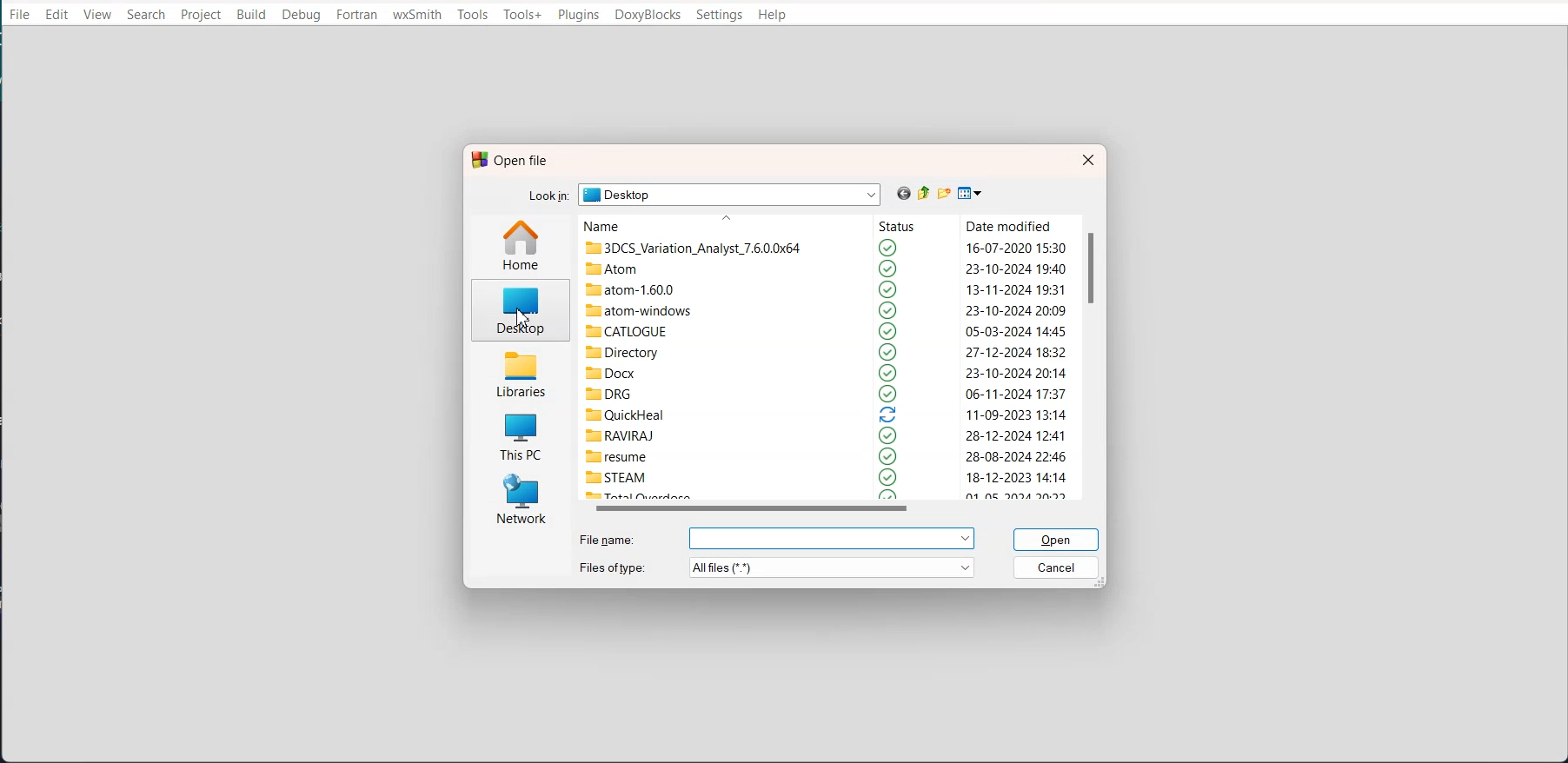 This screenshot has width=1568, height=763. Describe the element at coordinates (519, 500) in the screenshot. I see `Network` at that location.